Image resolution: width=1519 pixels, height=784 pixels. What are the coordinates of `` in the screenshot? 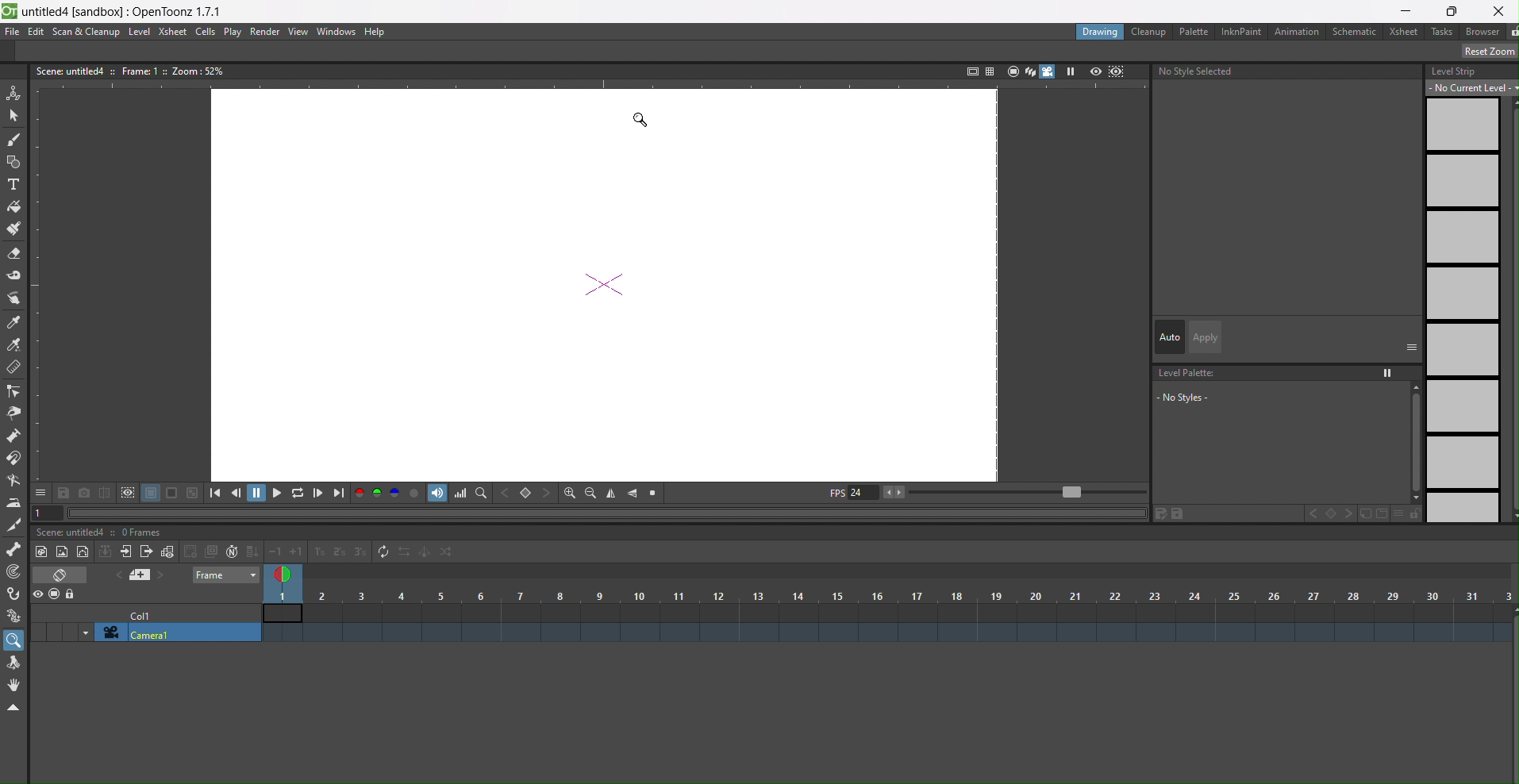 It's located at (460, 493).